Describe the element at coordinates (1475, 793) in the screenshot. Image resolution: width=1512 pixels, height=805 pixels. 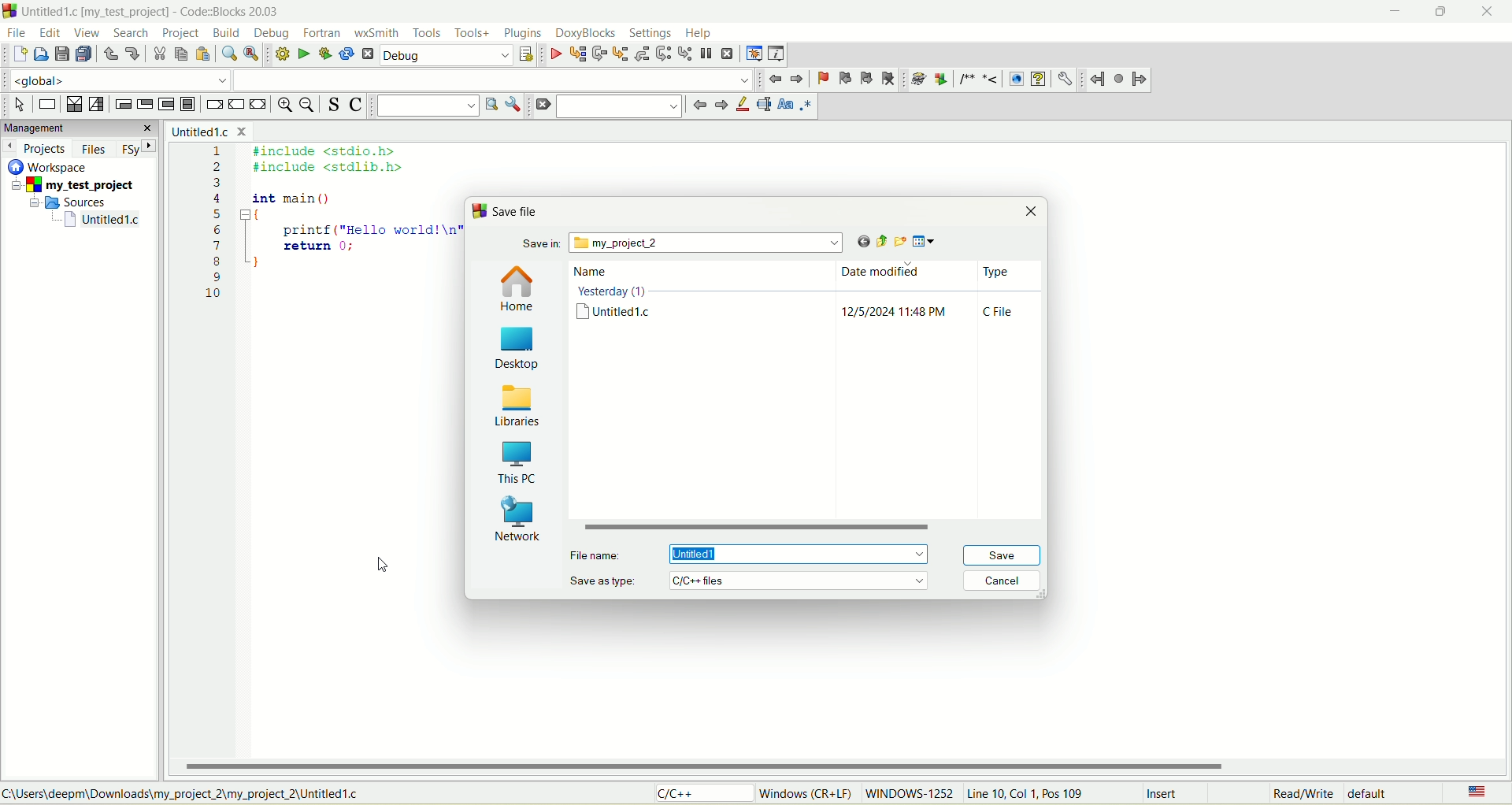
I see `language` at that location.